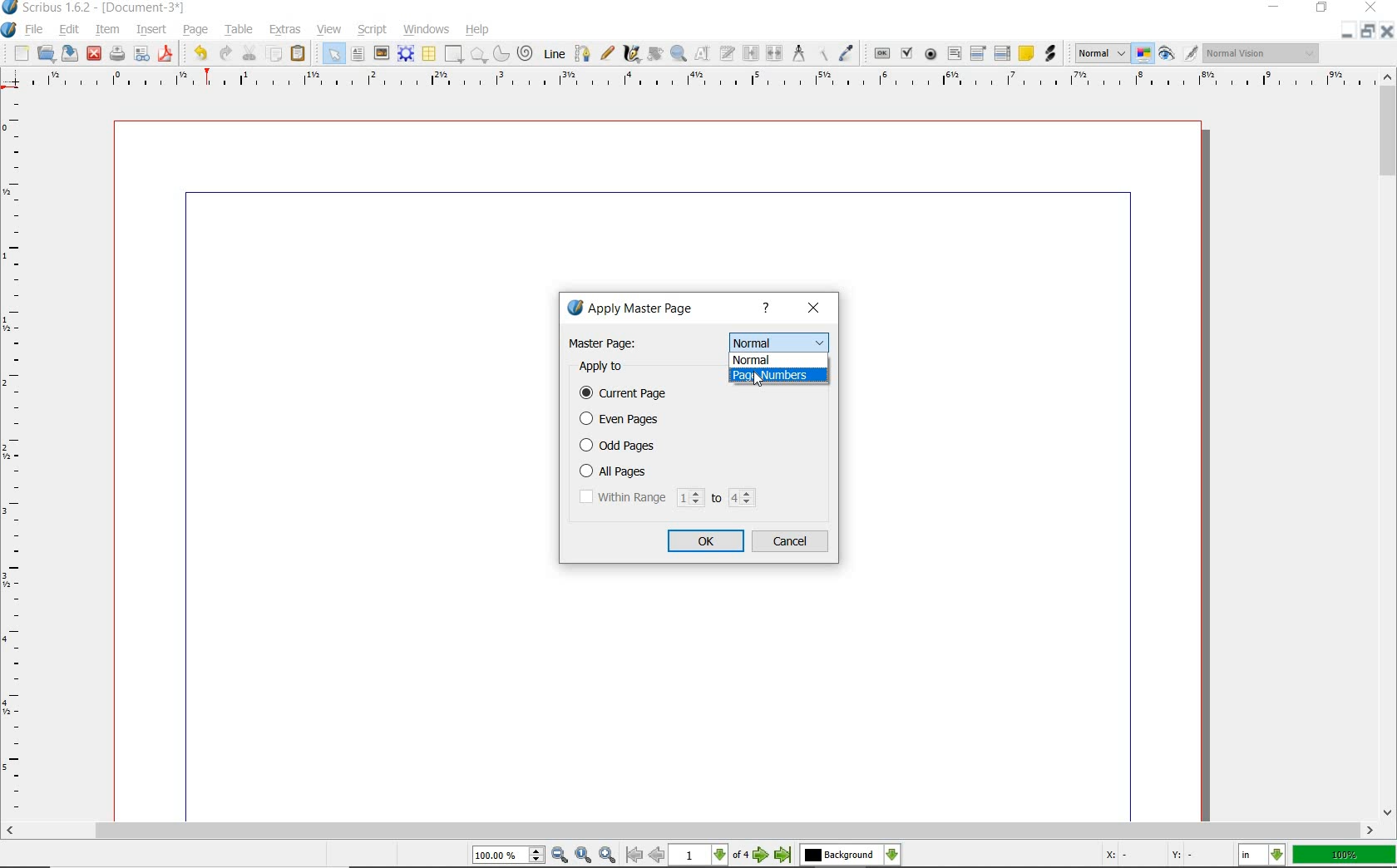 The height and width of the screenshot is (868, 1397). What do you see at coordinates (1168, 53) in the screenshot?
I see `preview mode` at bounding box center [1168, 53].